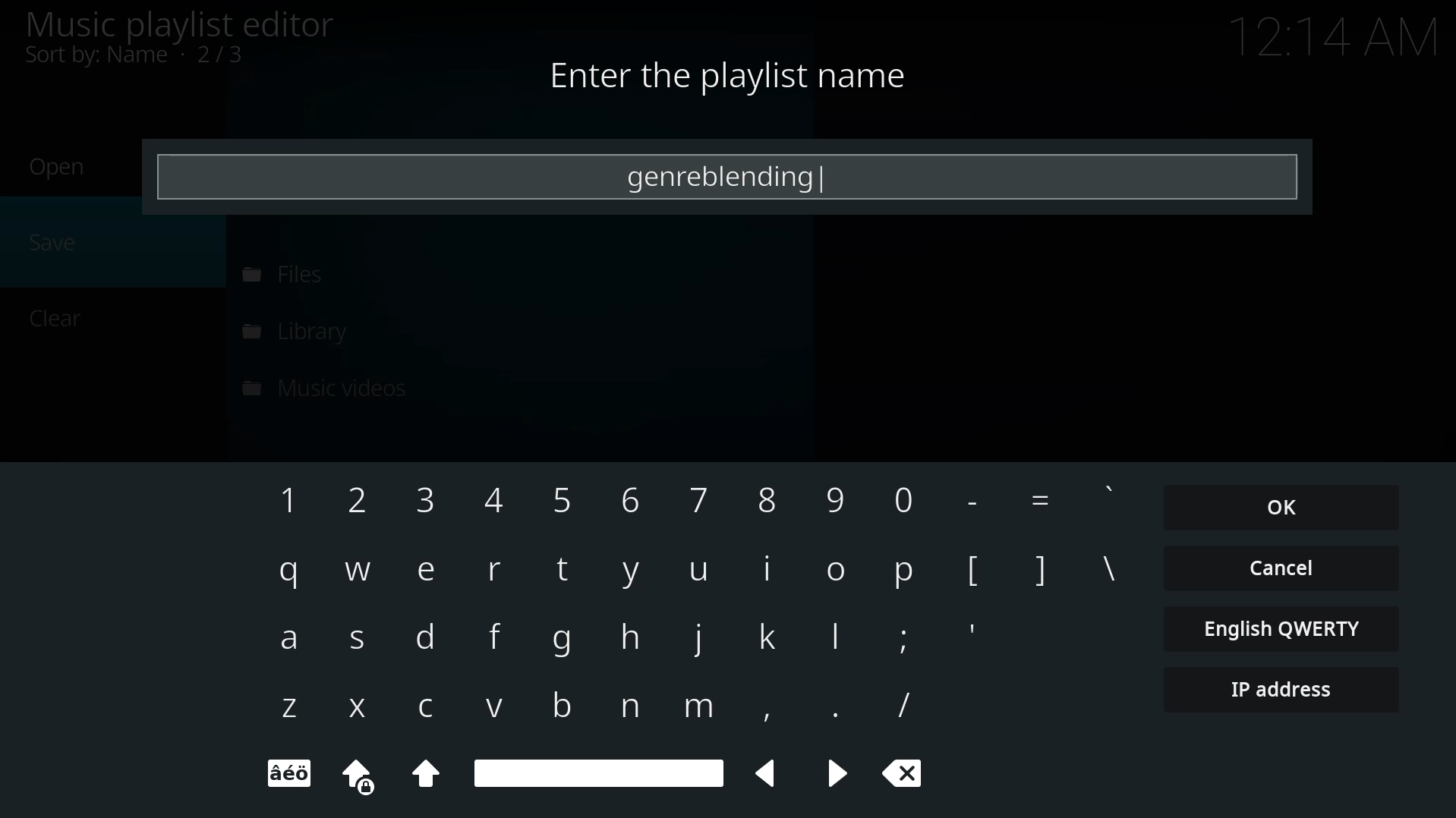 The width and height of the screenshot is (1456, 818). What do you see at coordinates (59, 316) in the screenshot?
I see `clear` at bounding box center [59, 316].